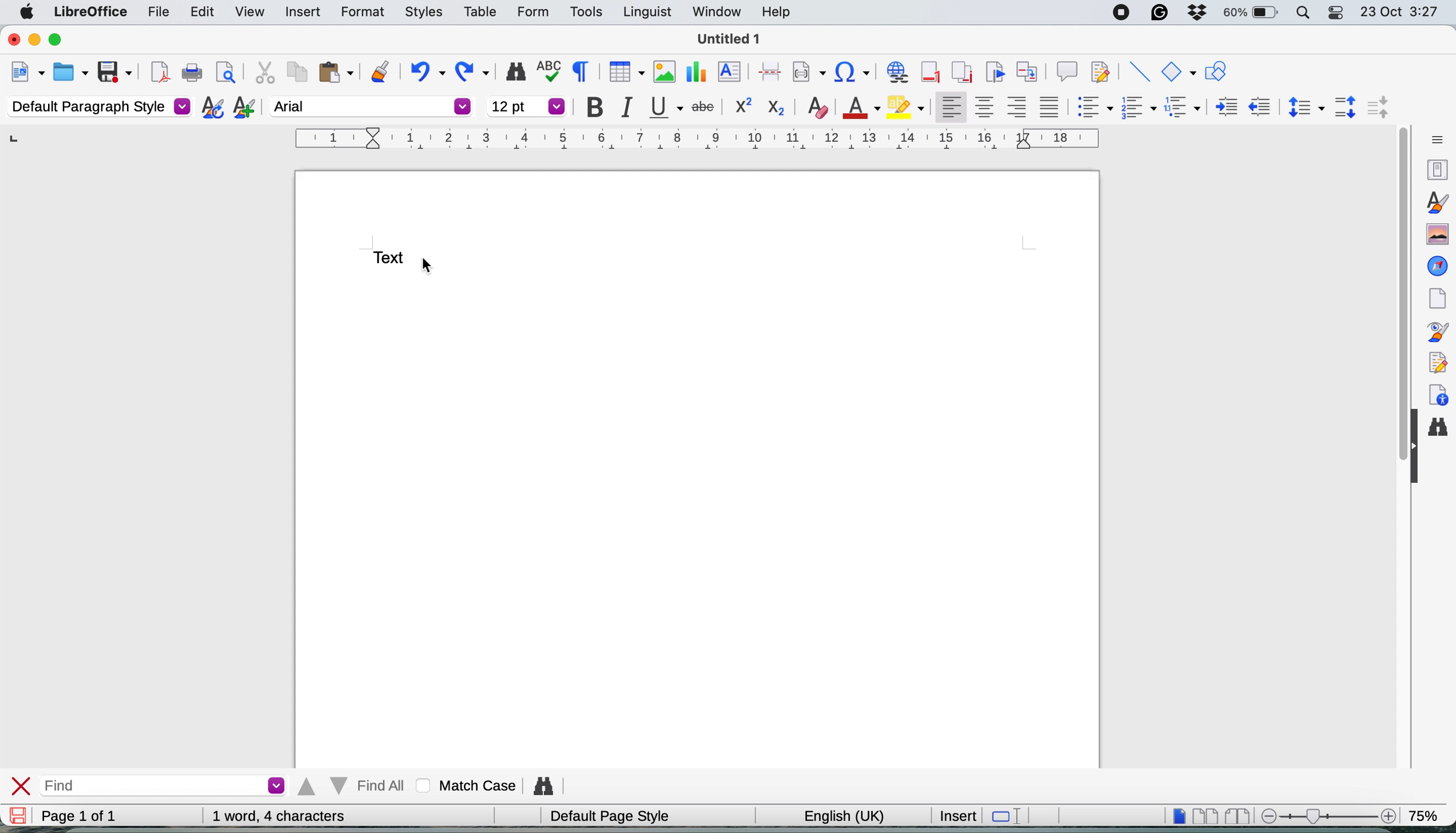 The image size is (1456, 833). What do you see at coordinates (644, 14) in the screenshot?
I see `linguist` at bounding box center [644, 14].